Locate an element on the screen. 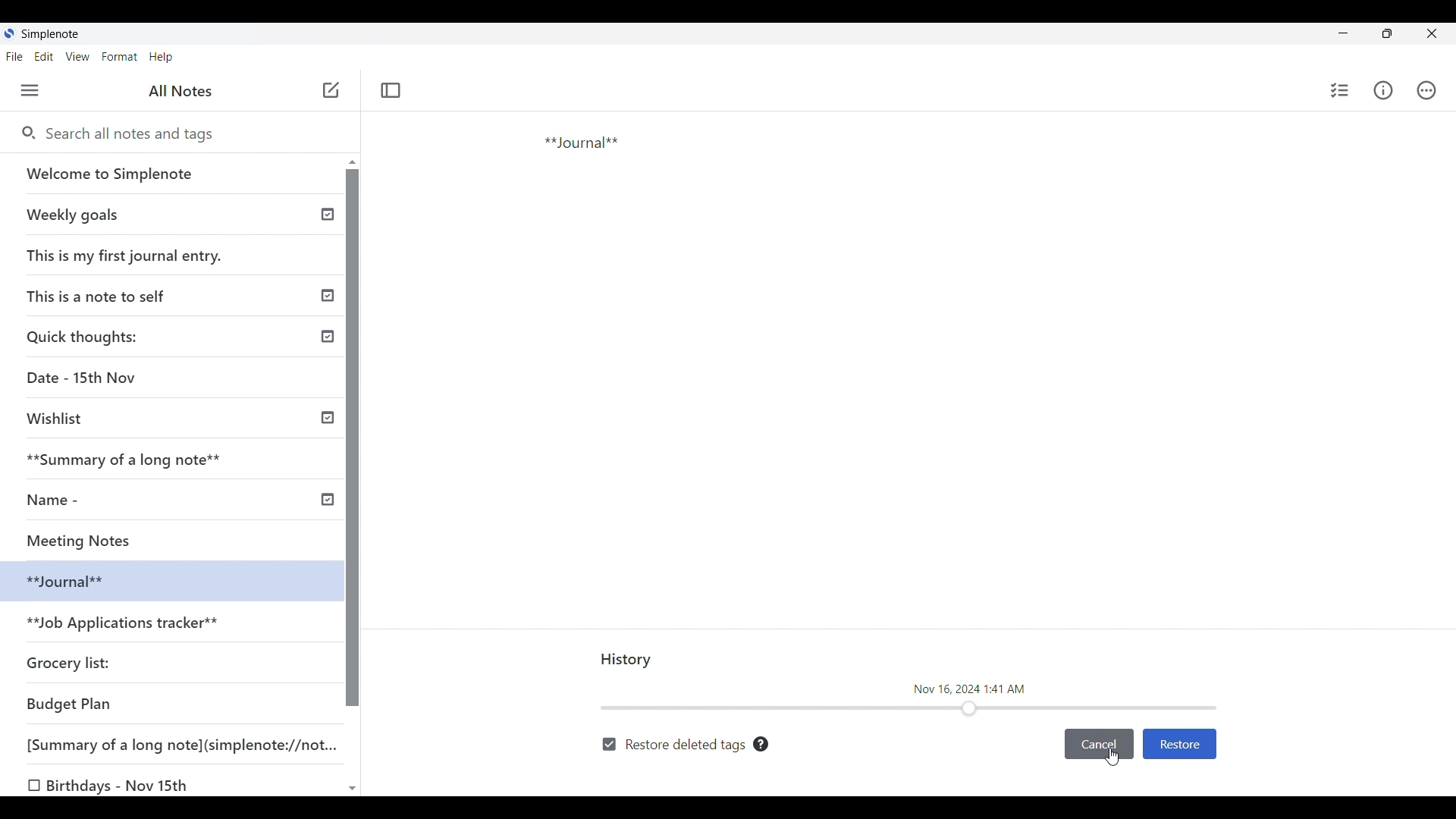 Image resolution: width=1456 pixels, height=819 pixels. Help menu is located at coordinates (162, 58).